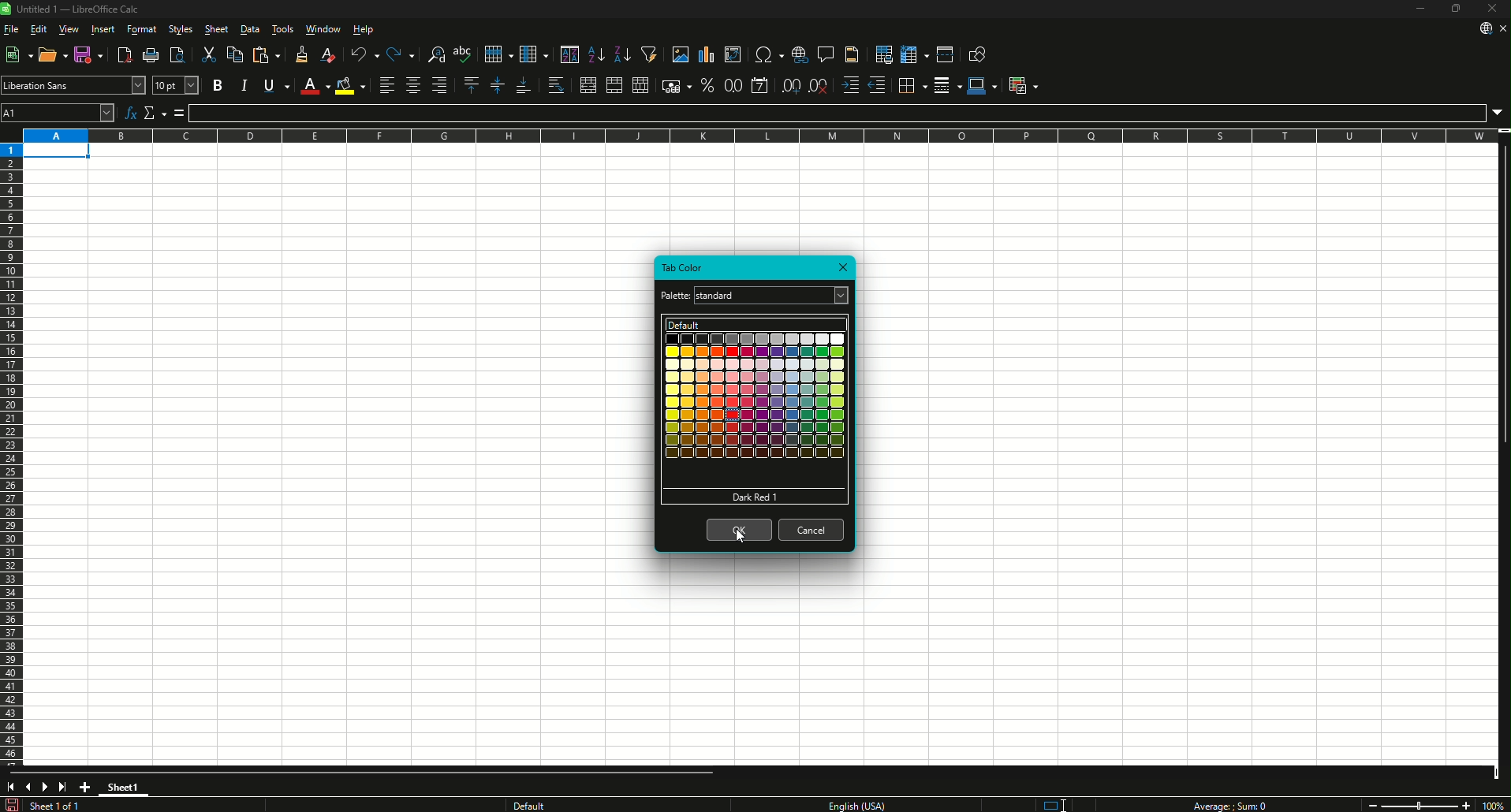 This screenshot has height=812, width=1511. Describe the element at coordinates (464, 54) in the screenshot. I see `Spelling` at that location.